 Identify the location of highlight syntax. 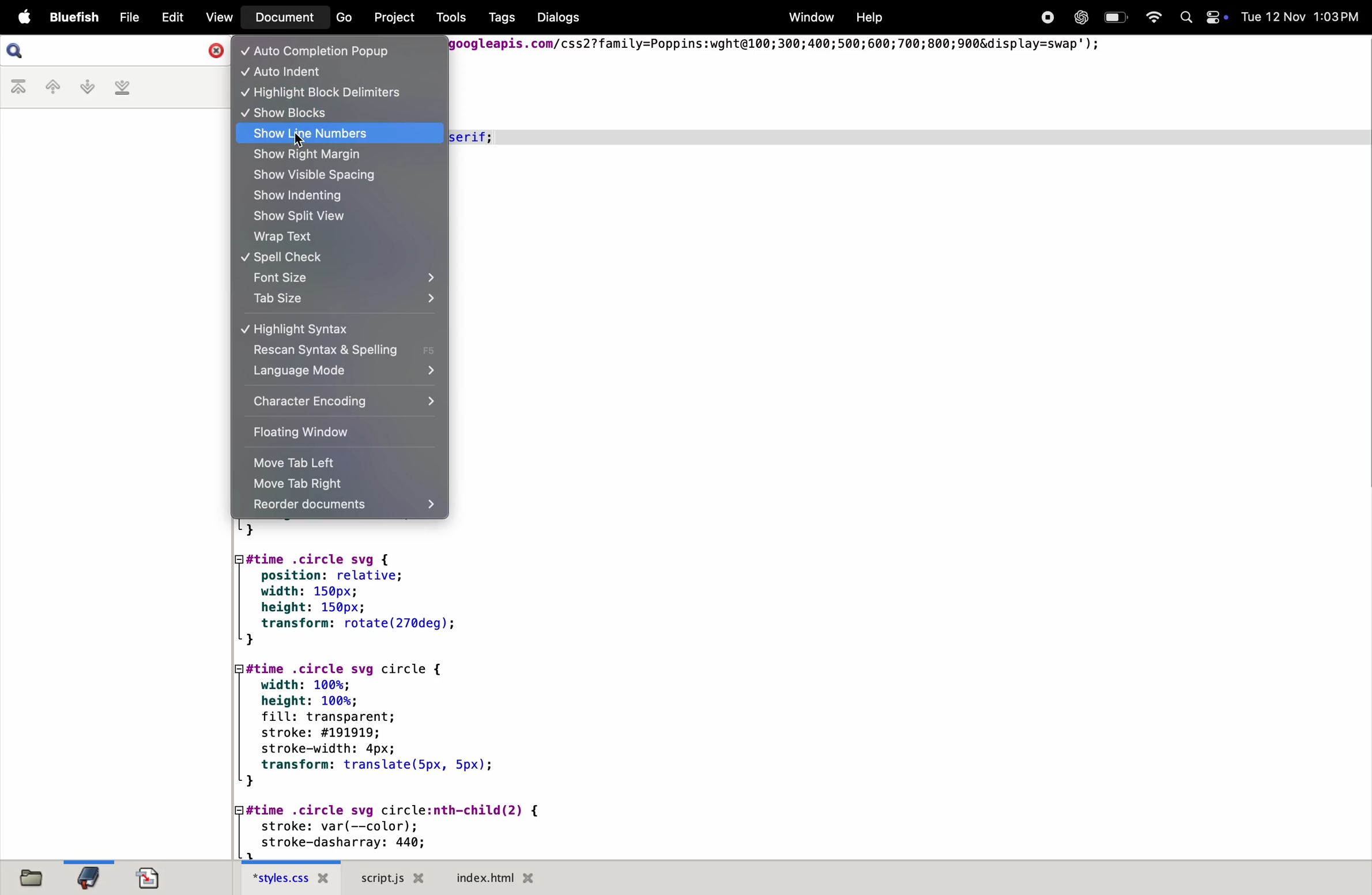
(340, 329).